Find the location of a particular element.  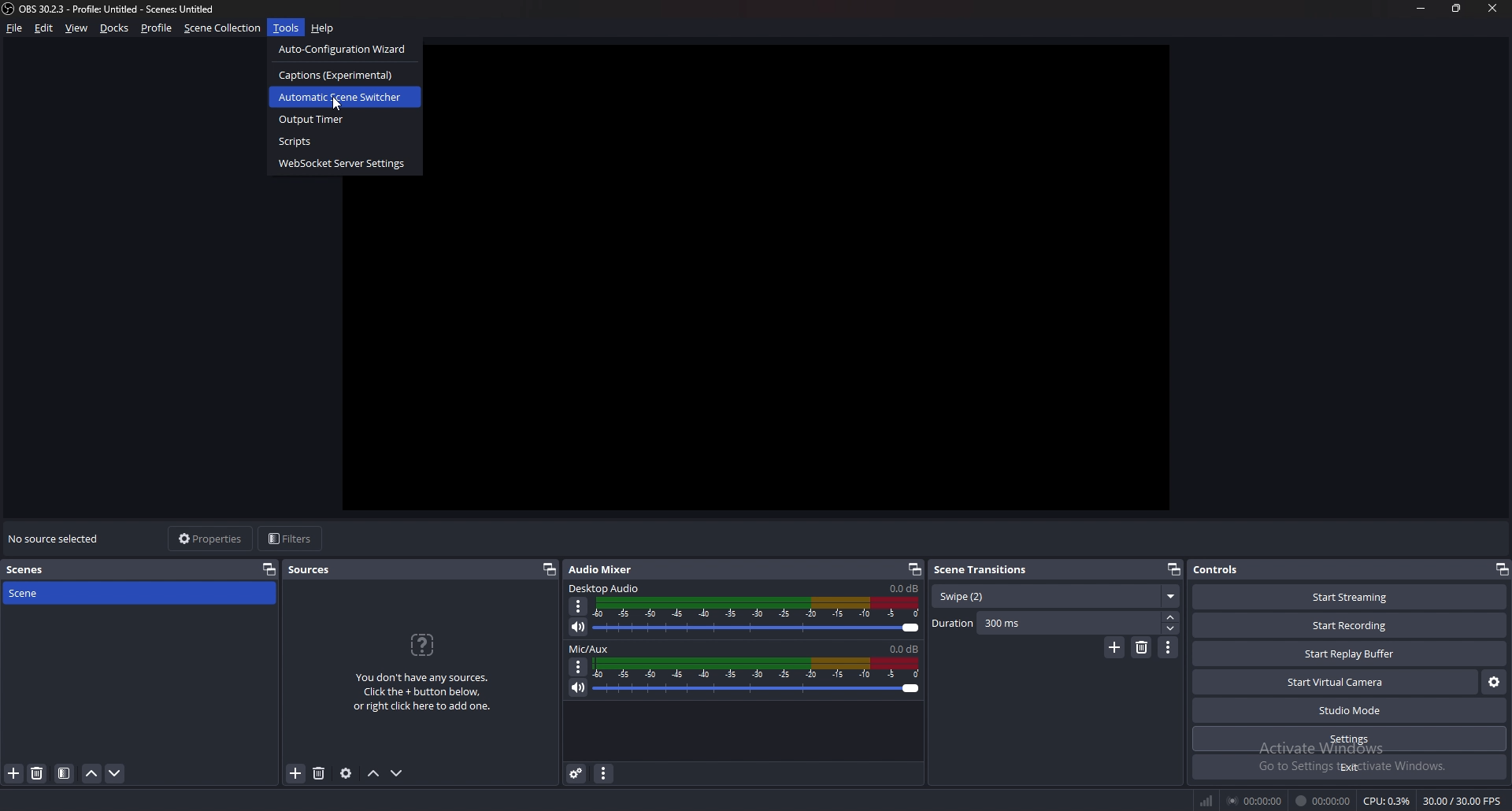

edit is located at coordinates (44, 28).